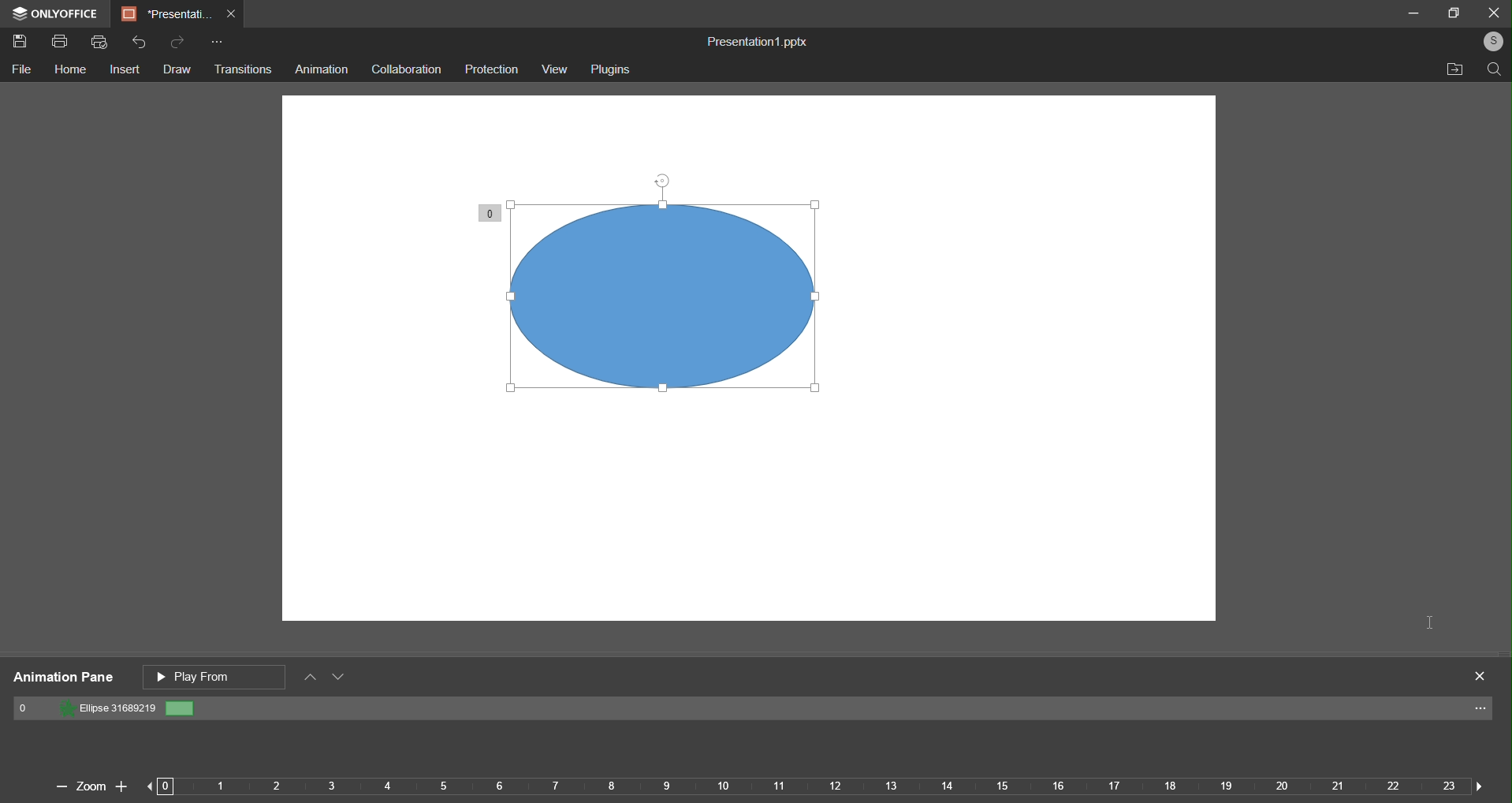  Describe the element at coordinates (1481, 675) in the screenshot. I see `close panel` at that location.